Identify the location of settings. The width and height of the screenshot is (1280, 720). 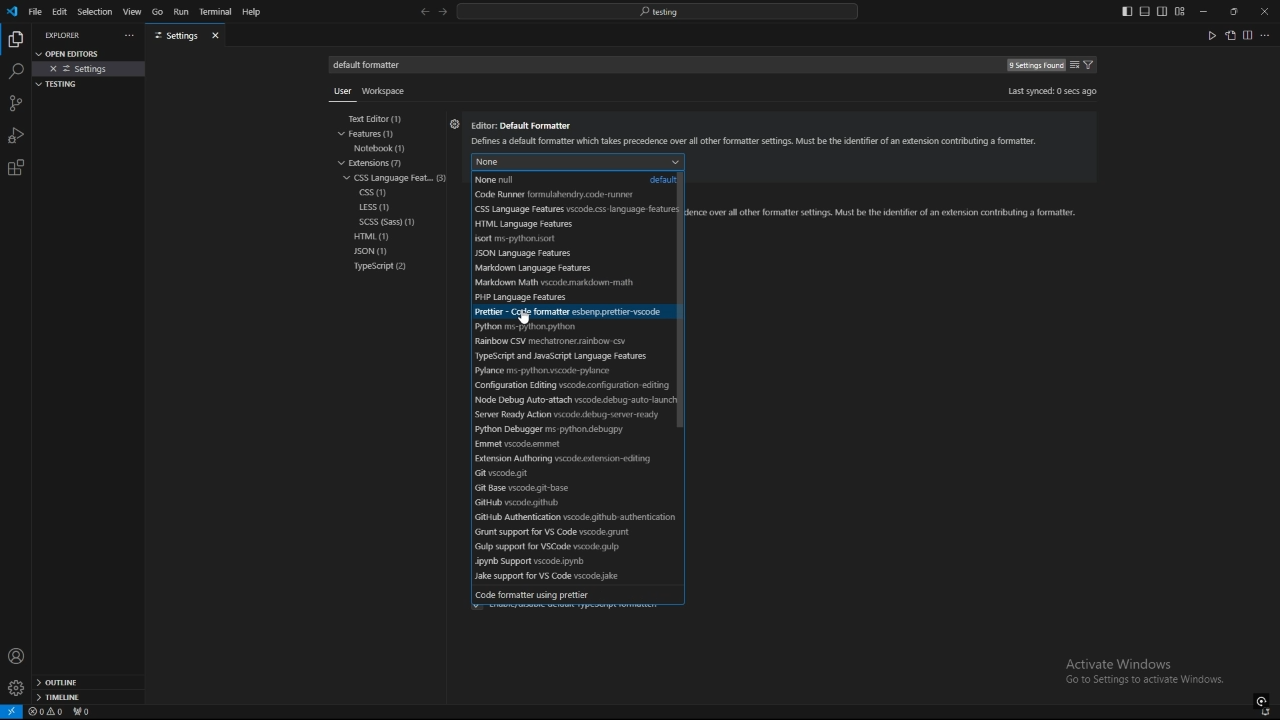
(176, 36).